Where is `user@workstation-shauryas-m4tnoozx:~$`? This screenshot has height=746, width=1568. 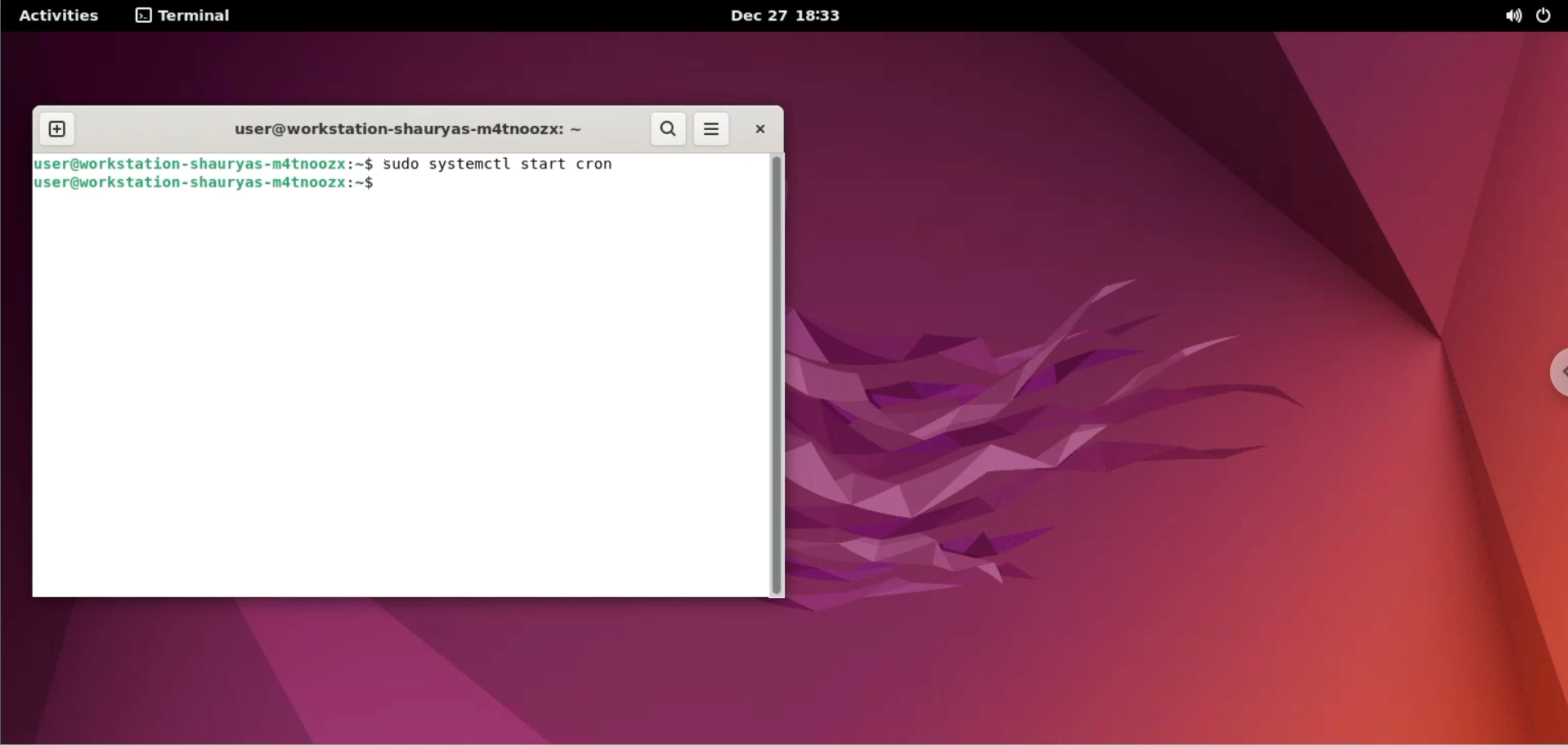 user@workstation-shauryas-m4tnoozx:~$ is located at coordinates (204, 164).